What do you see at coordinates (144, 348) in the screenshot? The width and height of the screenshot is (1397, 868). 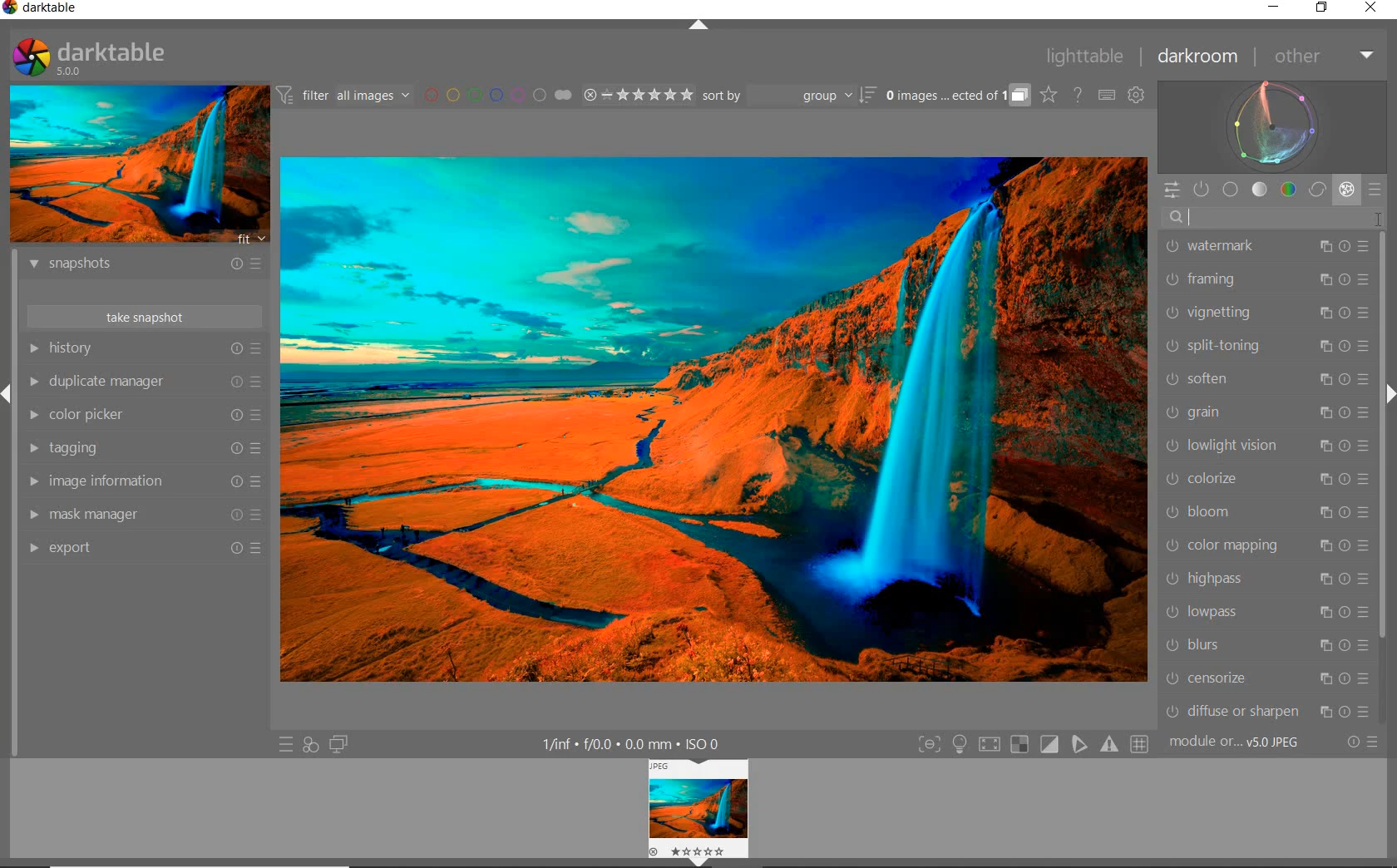 I see `history` at bounding box center [144, 348].